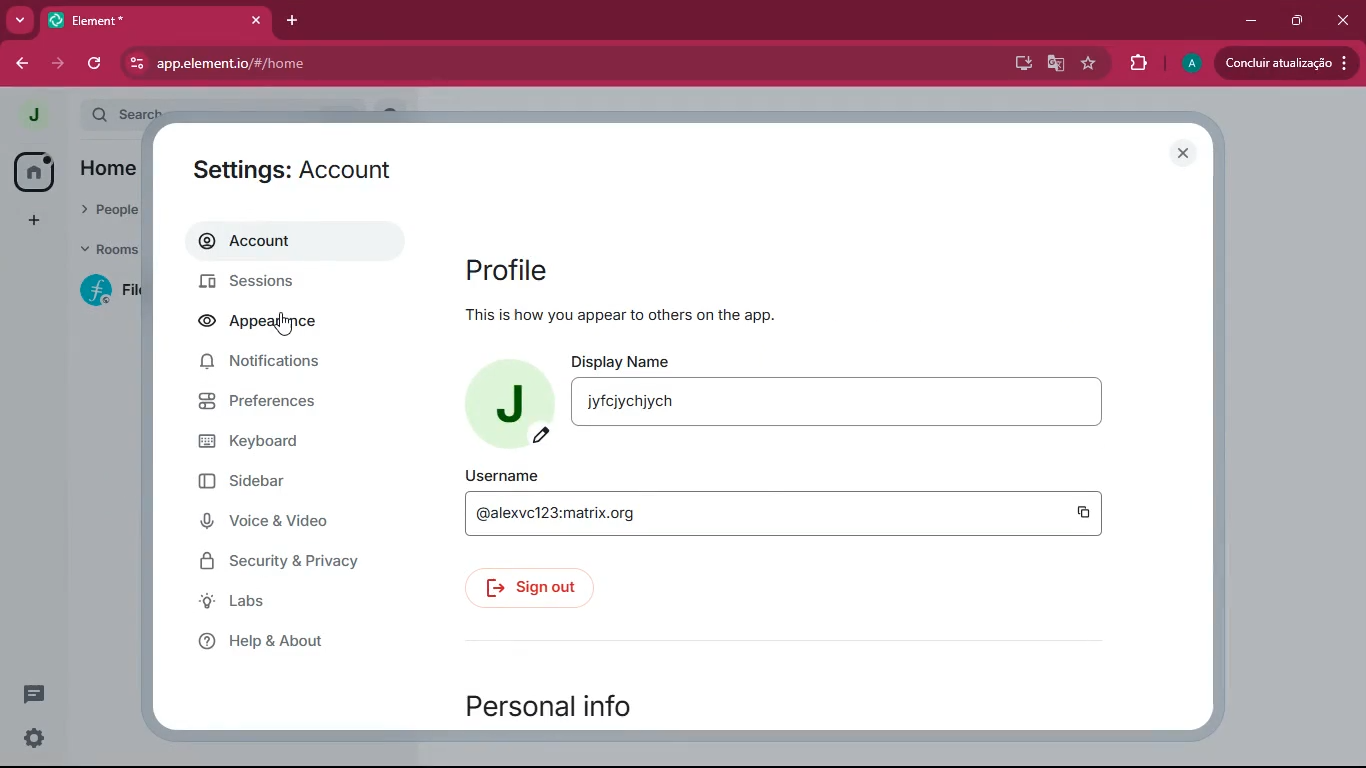 The image size is (1366, 768). Describe the element at coordinates (295, 564) in the screenshot. I see `security` at that location.